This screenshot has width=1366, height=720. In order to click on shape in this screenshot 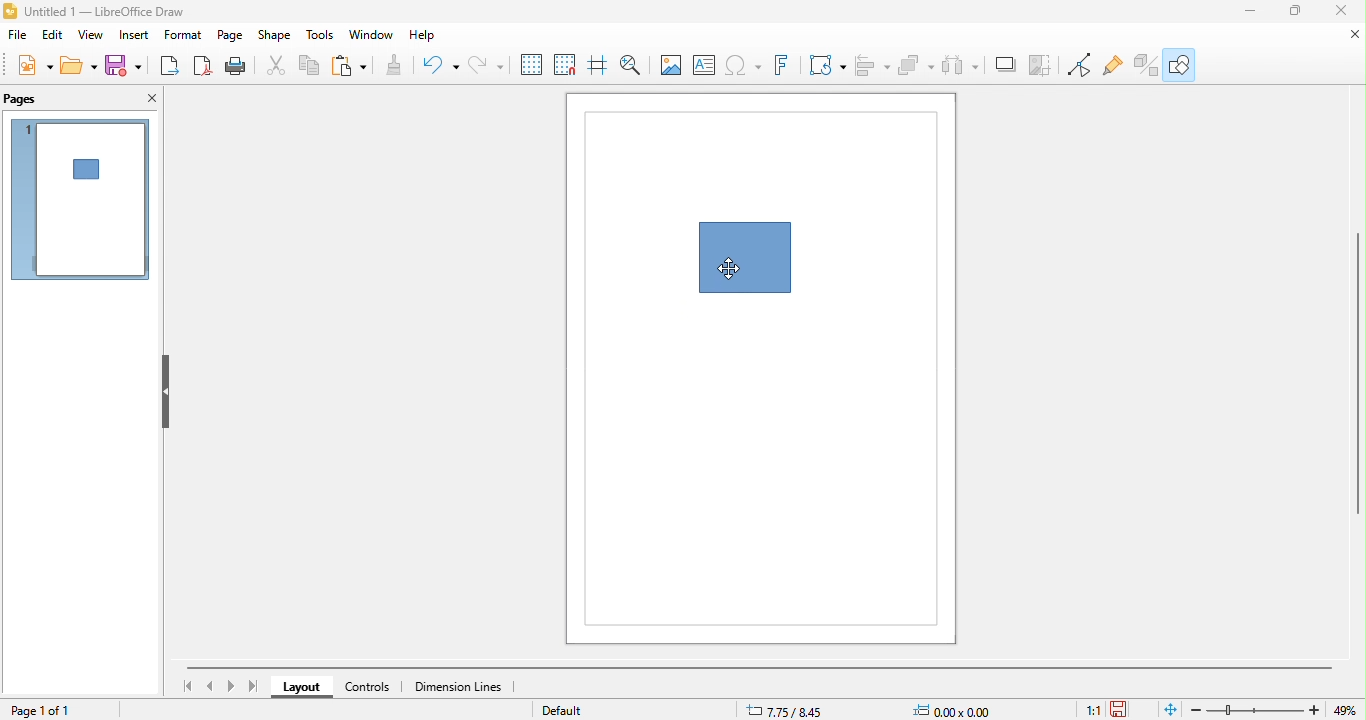, I will do `click(744, 258)`.